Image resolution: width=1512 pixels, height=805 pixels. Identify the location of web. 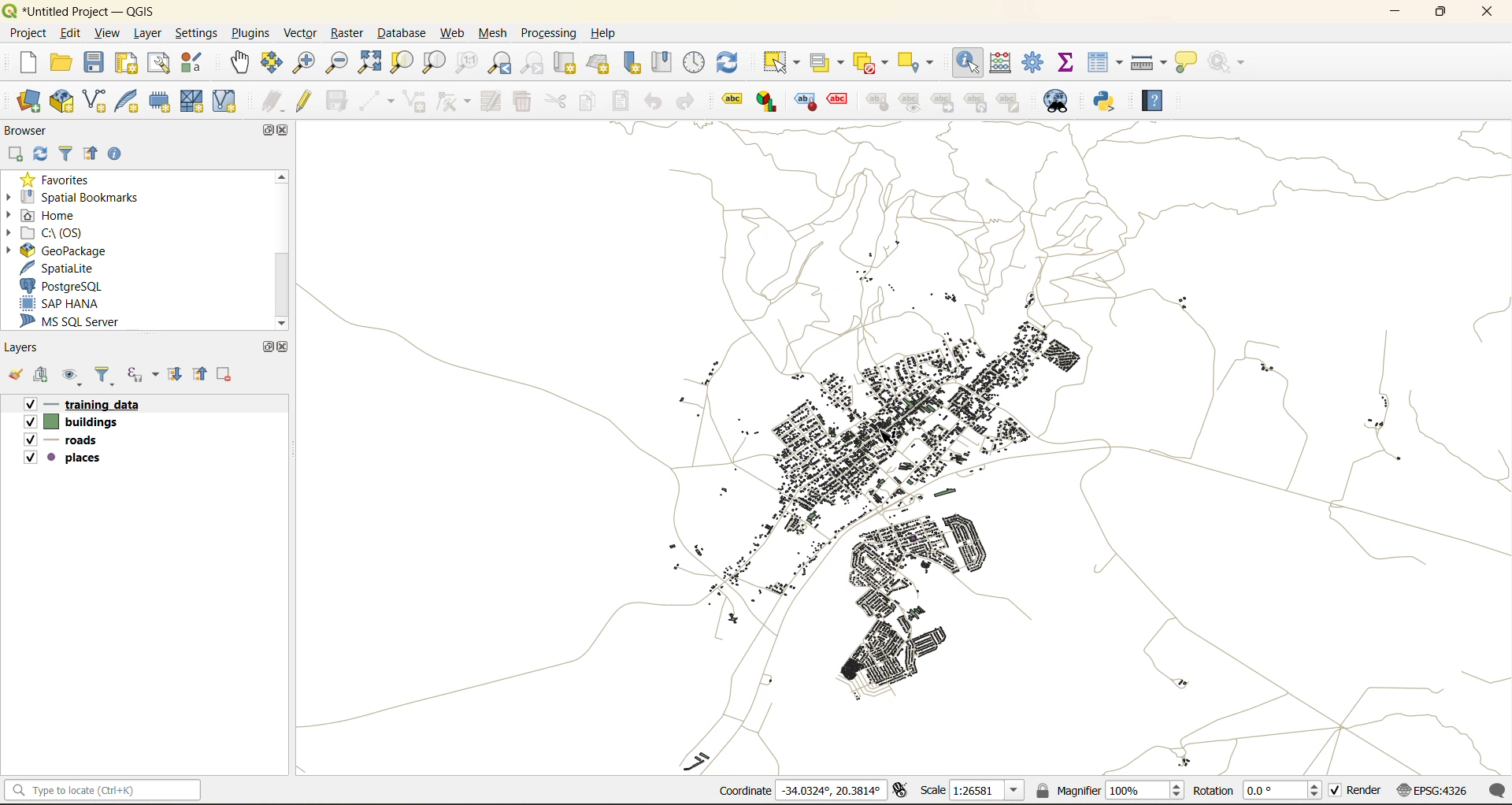
(454, 33).